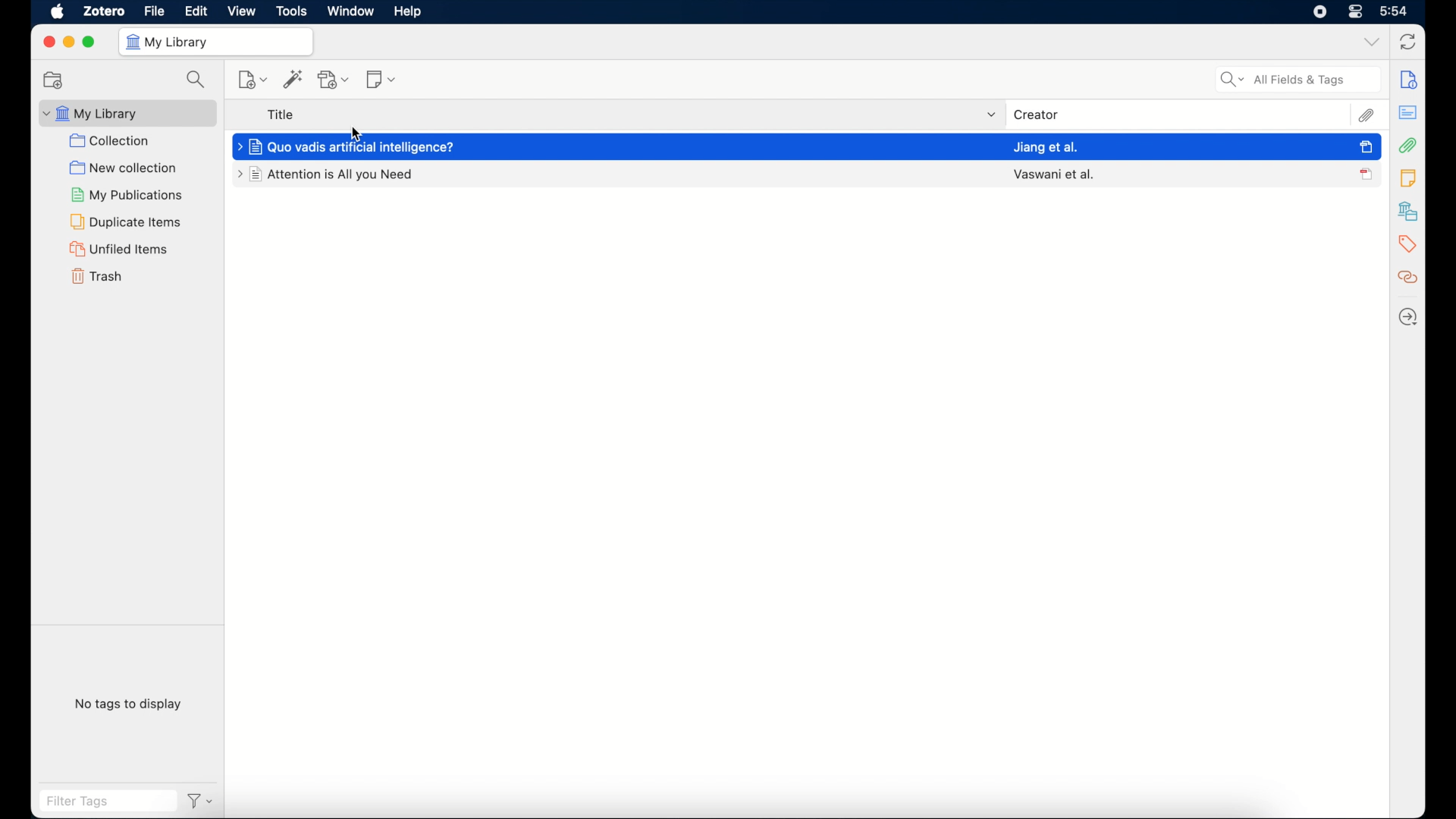  What do you see at coordinates (127, 704) in the screenshot?
I see `no tags to display` at bounding box center [127, 704].